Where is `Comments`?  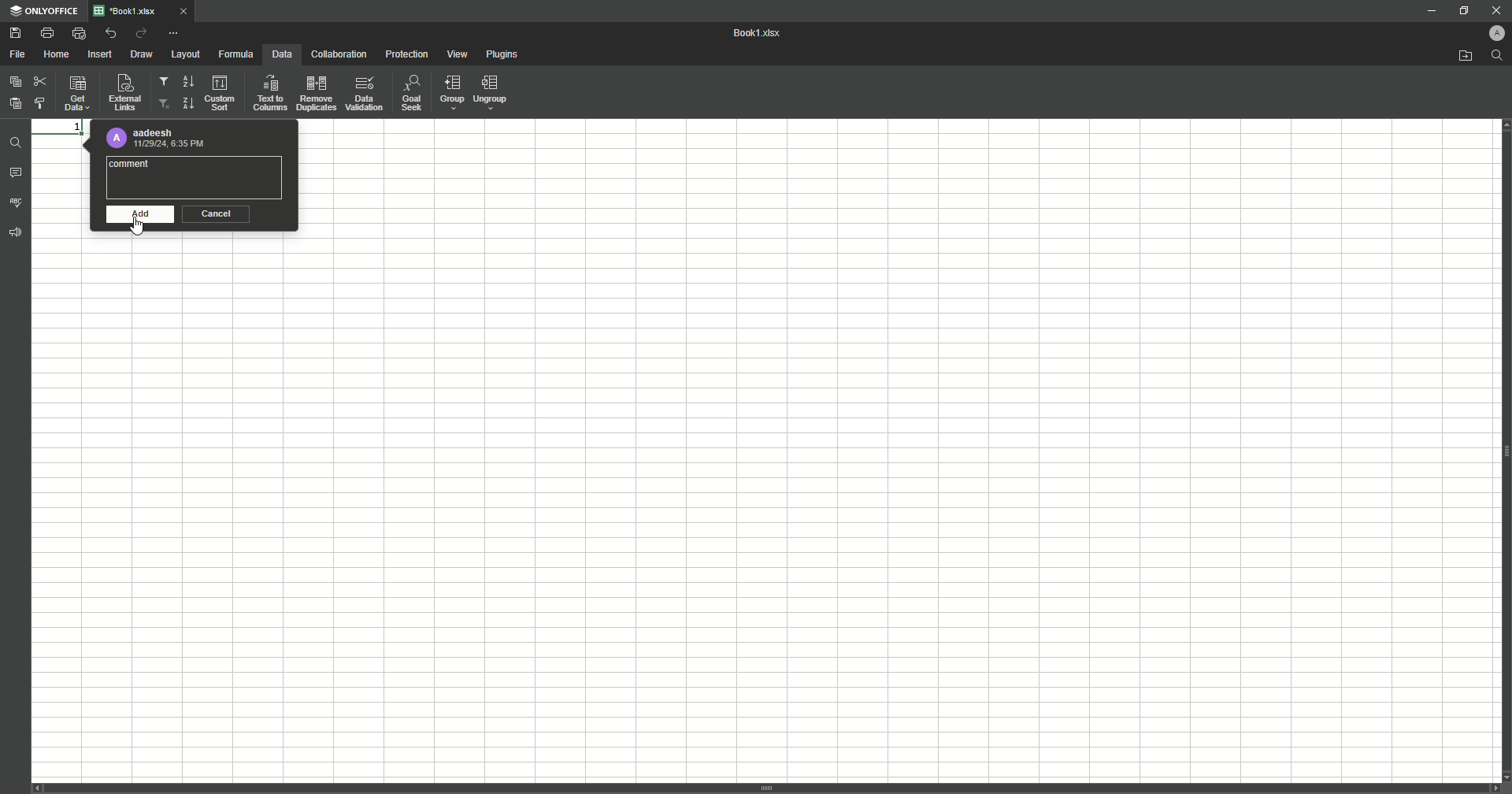 Comments is located at coordinates (17, 175).